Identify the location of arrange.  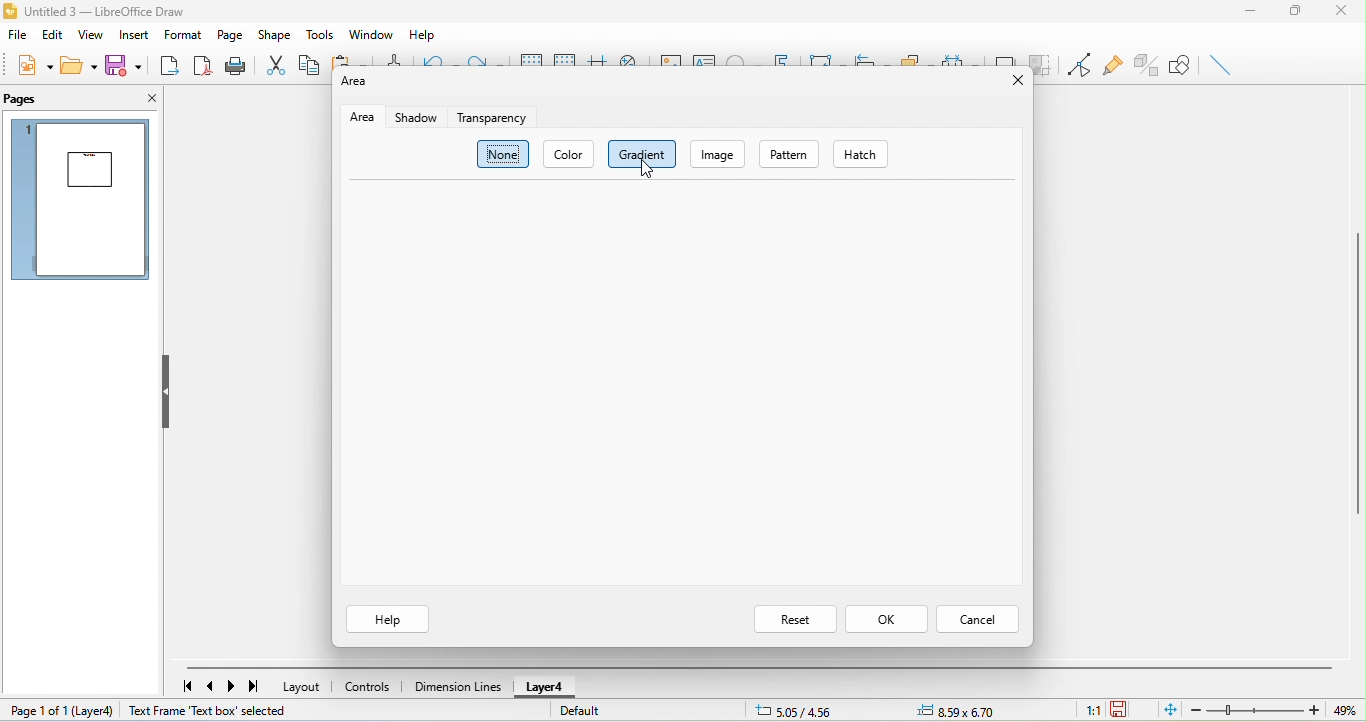
(914, 56).